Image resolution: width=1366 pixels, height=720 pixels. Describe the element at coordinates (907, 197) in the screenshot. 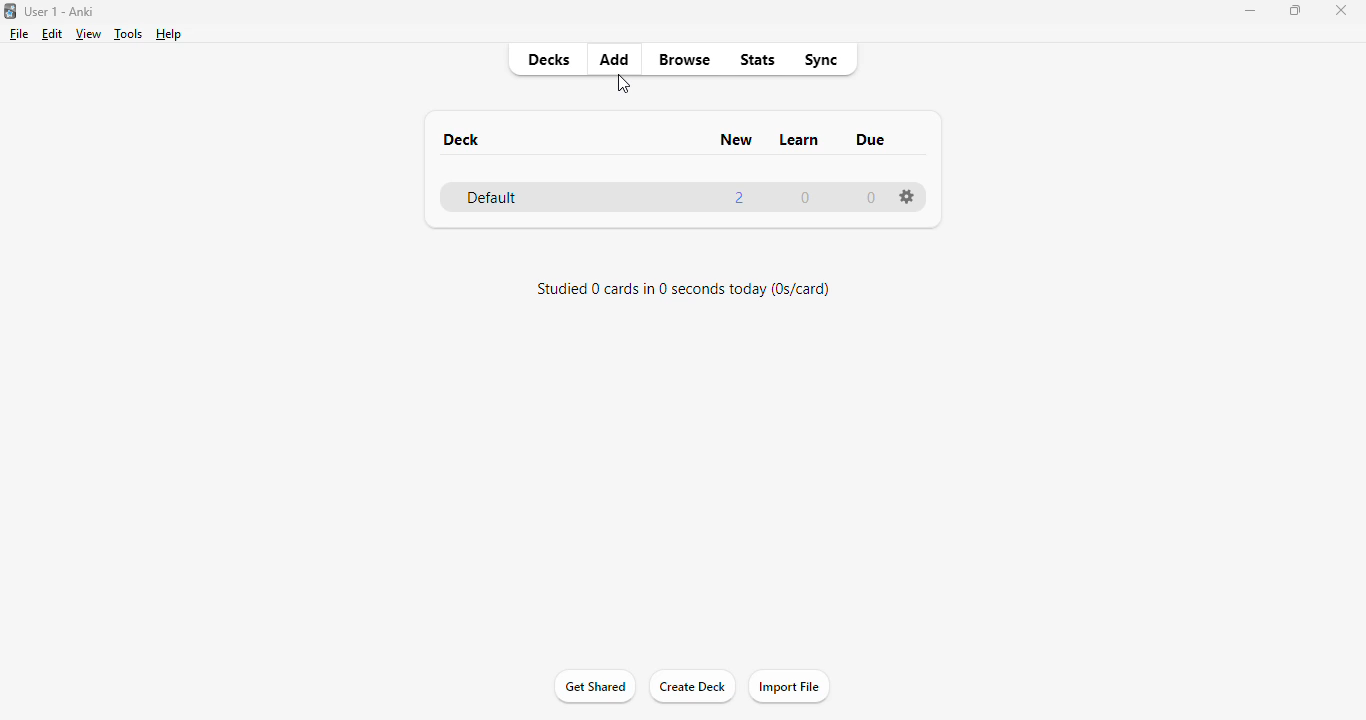

I see `options` at that location.